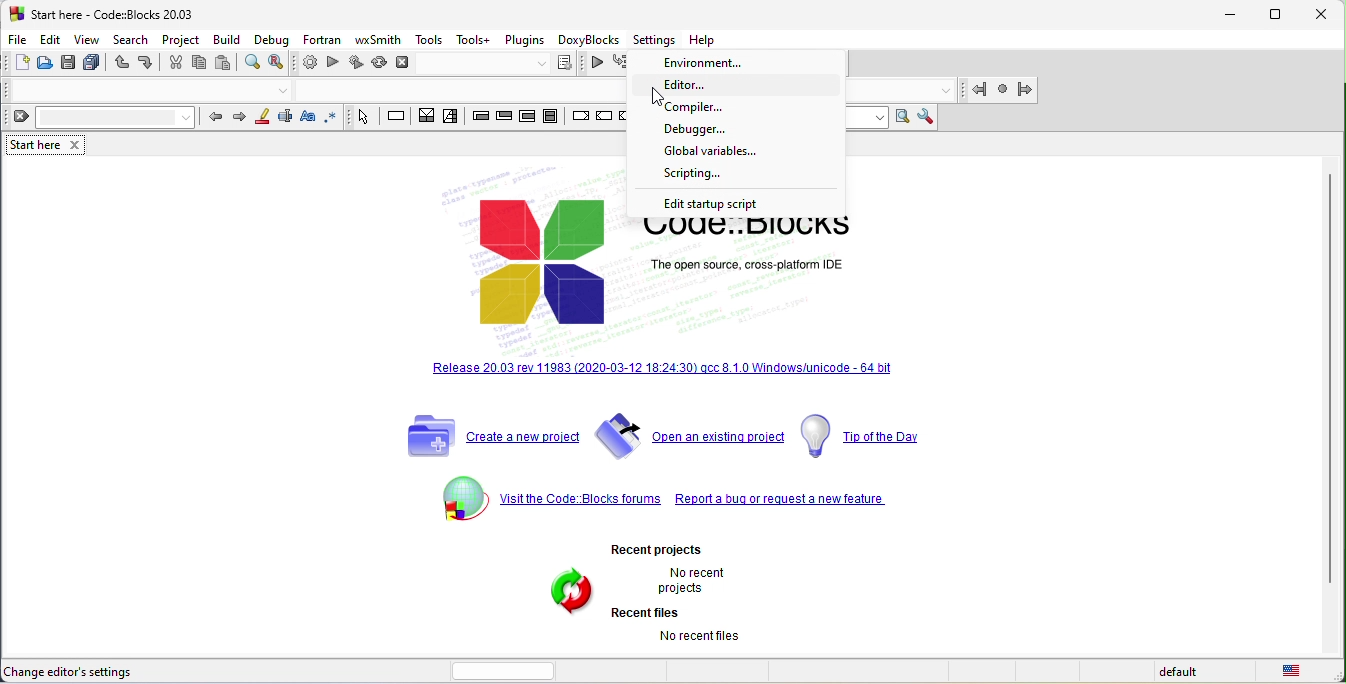 This screenshot has width=1346, height=684. What do you see at coordinates (91, 66) in the screenshot?
I see `save everything` at bounding box center [91, 66].